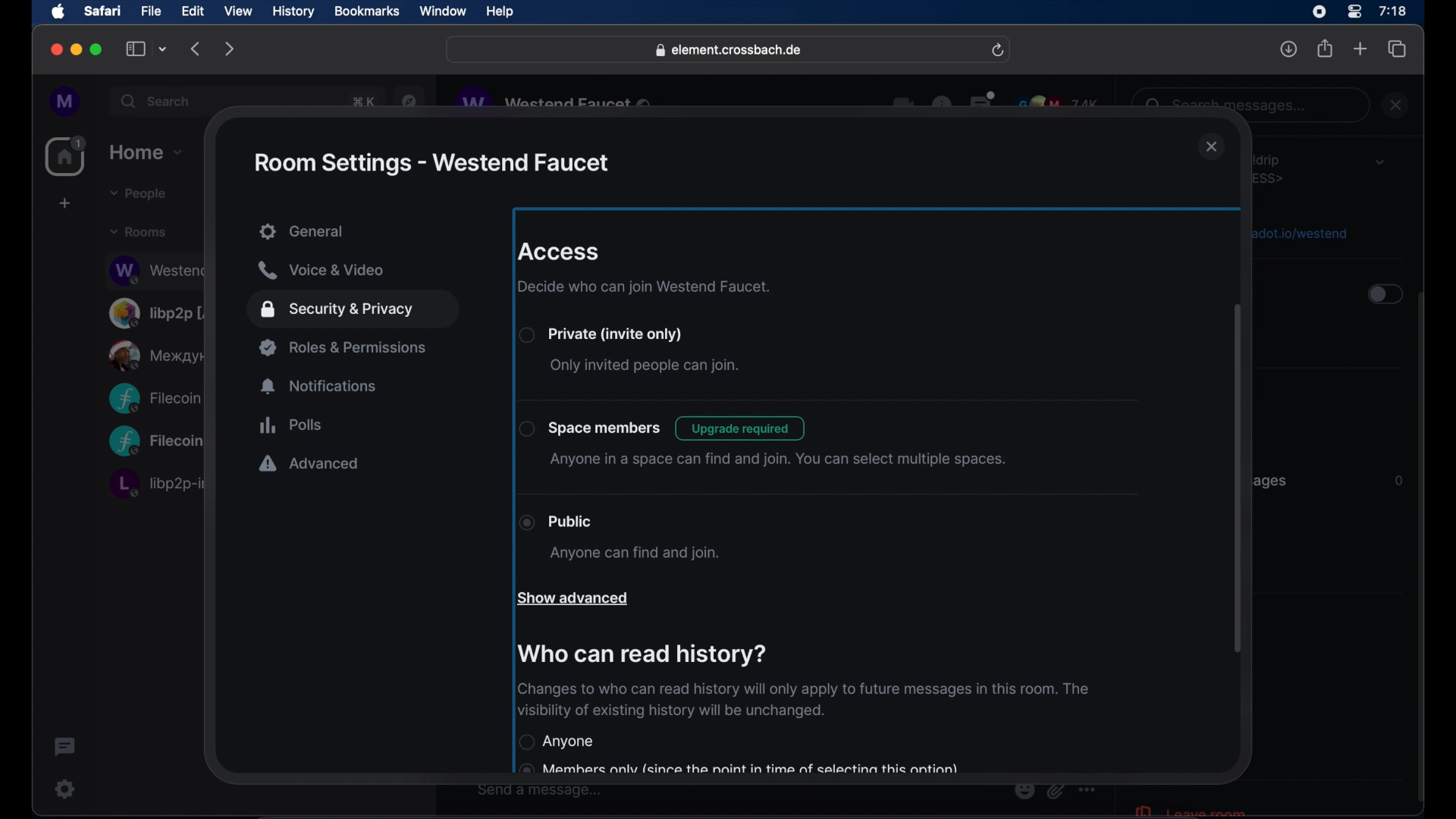 Image resolution: width=1456 pixels, height=819 pixels. What do you see at coordinates (366, 11) in the screenshot?
I see `bookmarks` at bounding box center [366, 11].